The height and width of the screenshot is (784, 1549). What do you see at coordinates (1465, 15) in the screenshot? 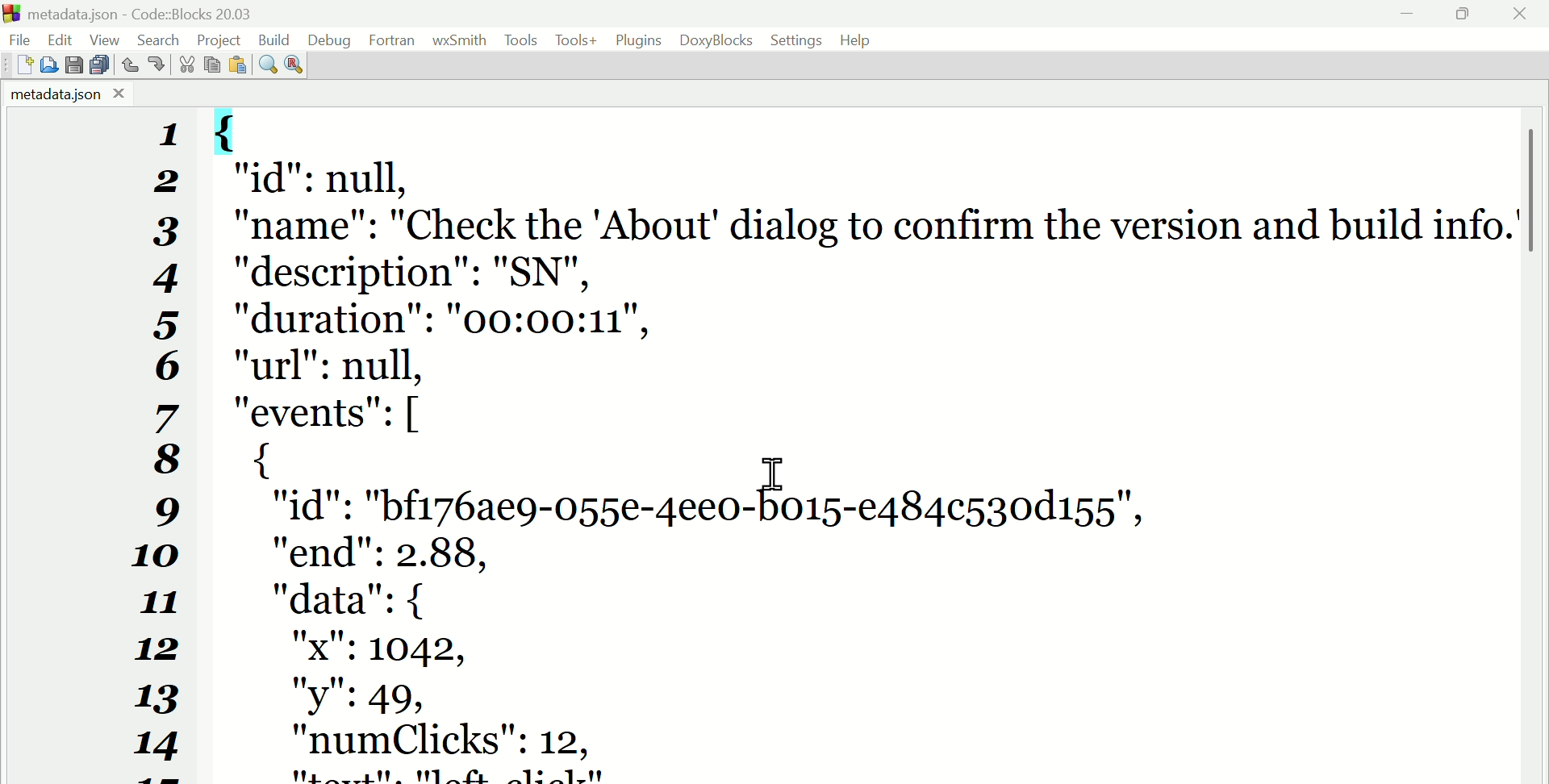
I see `Maximise` at bounding box center [1465, 15].